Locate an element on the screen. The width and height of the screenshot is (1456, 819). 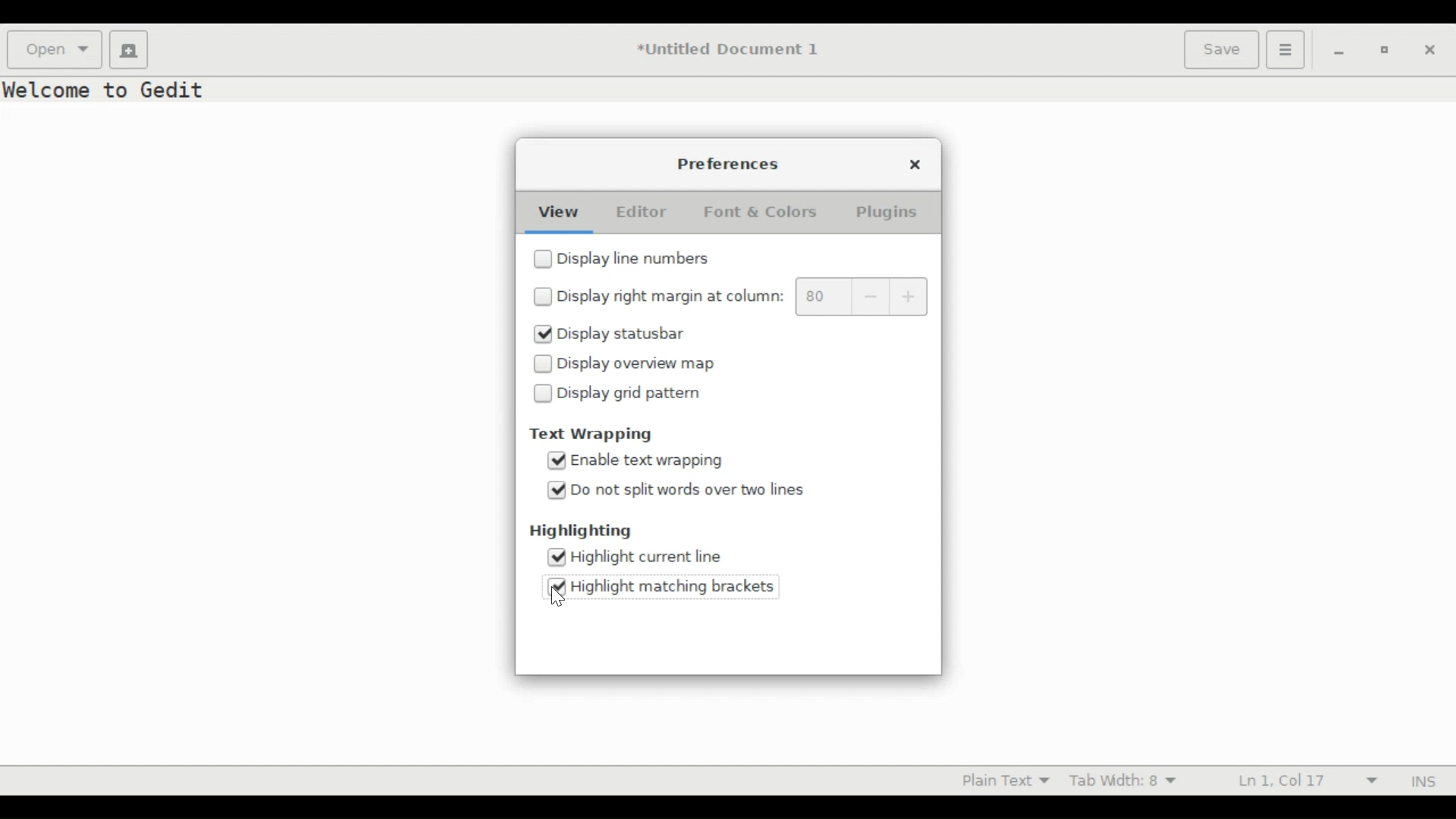
Enable text wrapping is located at coordinates (664, 460).